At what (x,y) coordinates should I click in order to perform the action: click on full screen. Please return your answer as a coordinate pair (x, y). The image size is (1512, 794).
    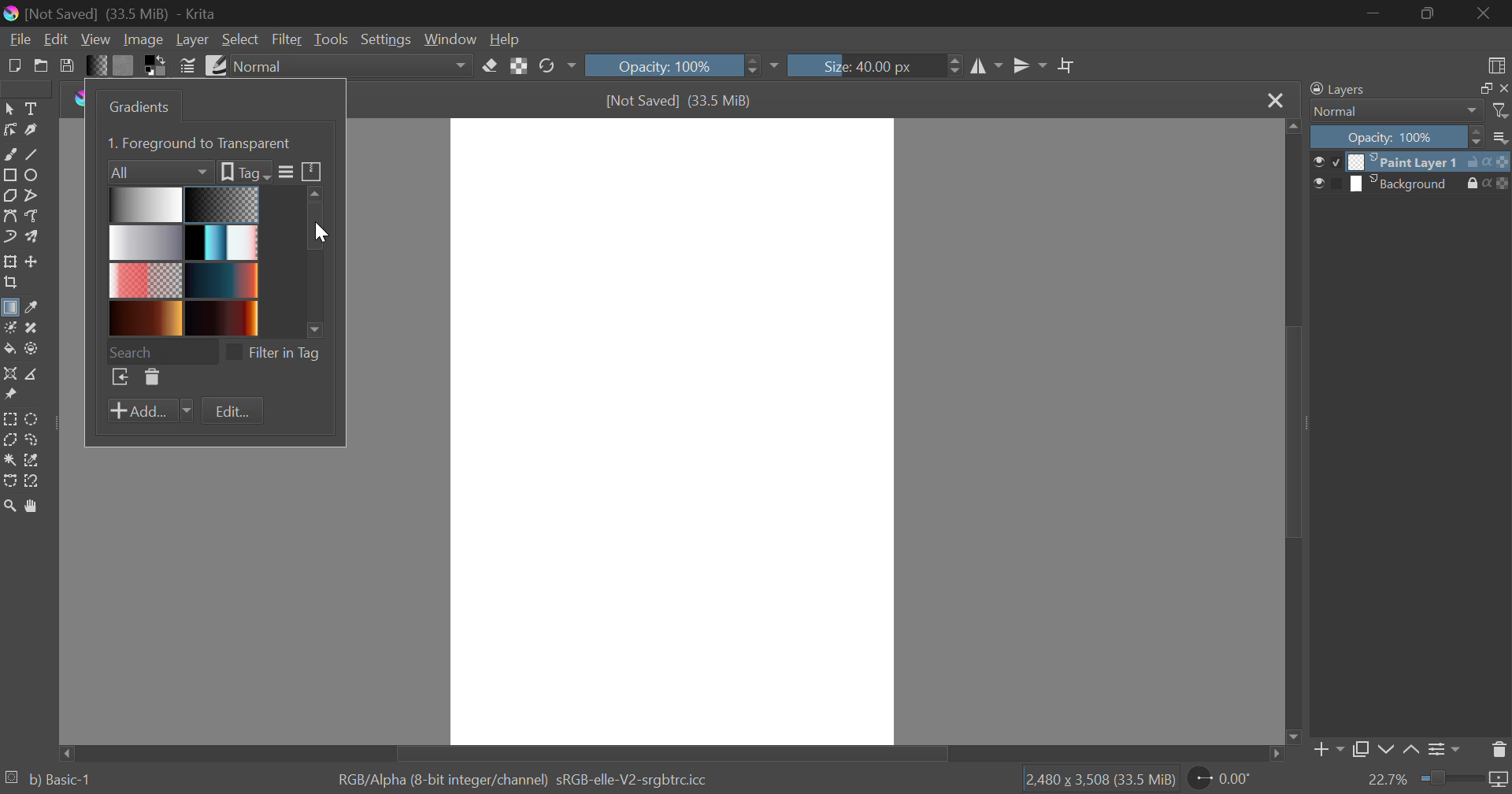
    Looking at the image, I should click on (1481, 89).